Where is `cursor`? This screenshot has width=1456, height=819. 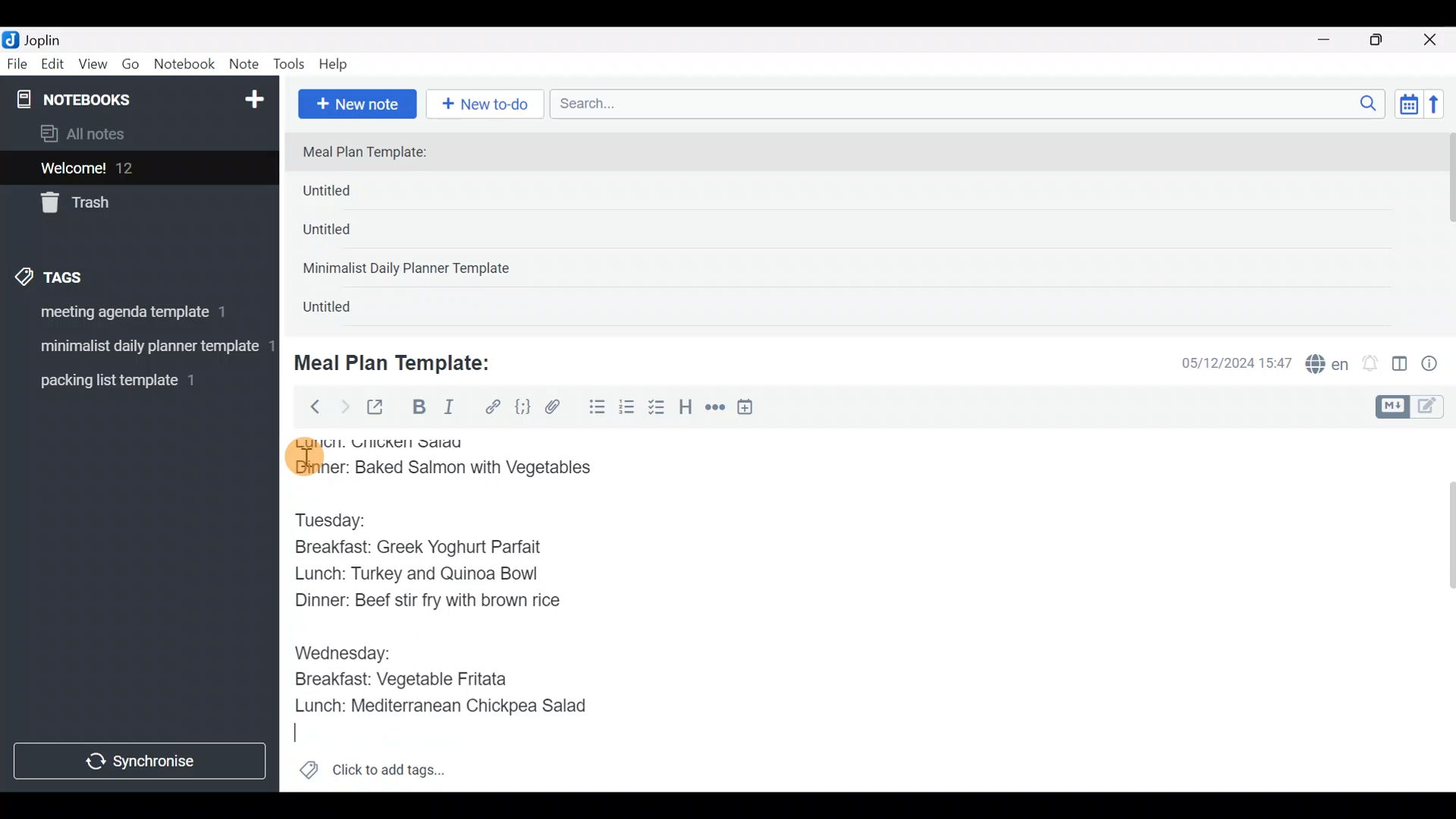
cursor is located at coordinates (303, 457).